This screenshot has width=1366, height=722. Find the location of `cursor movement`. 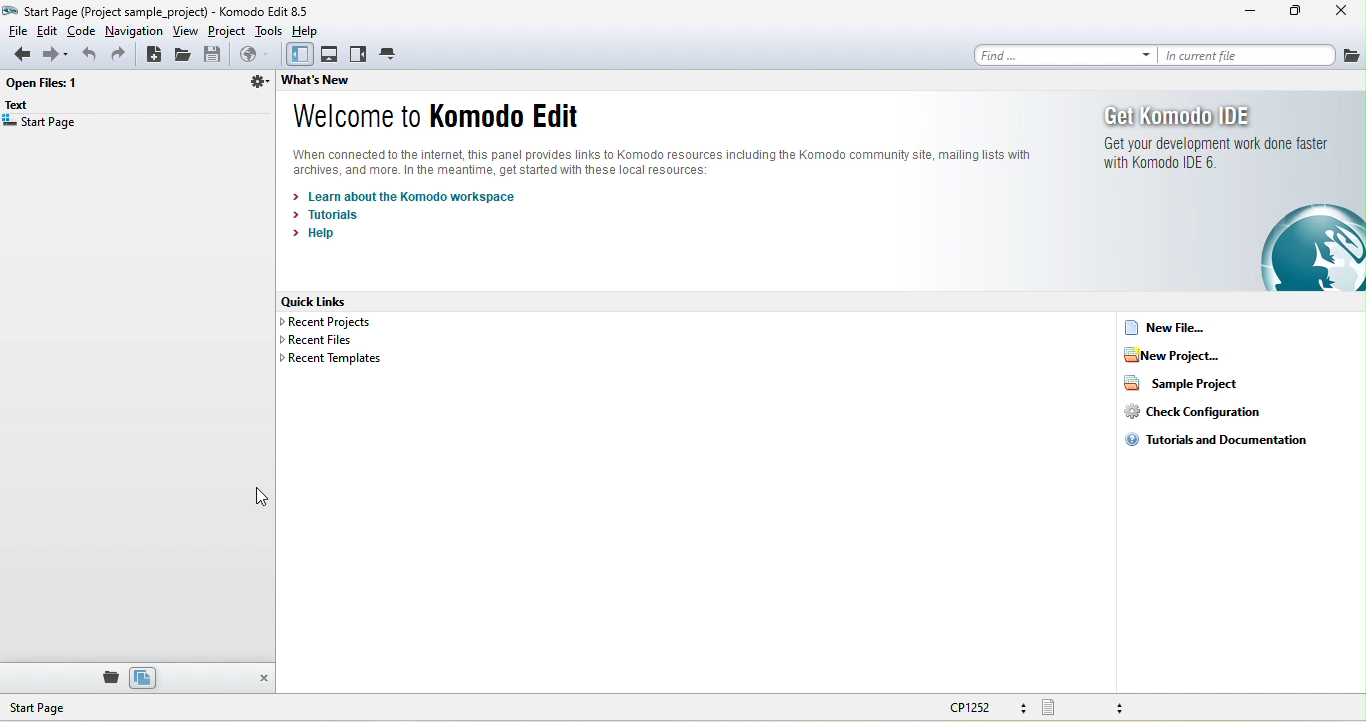

cursor movement is located at coordinates (259, 499).